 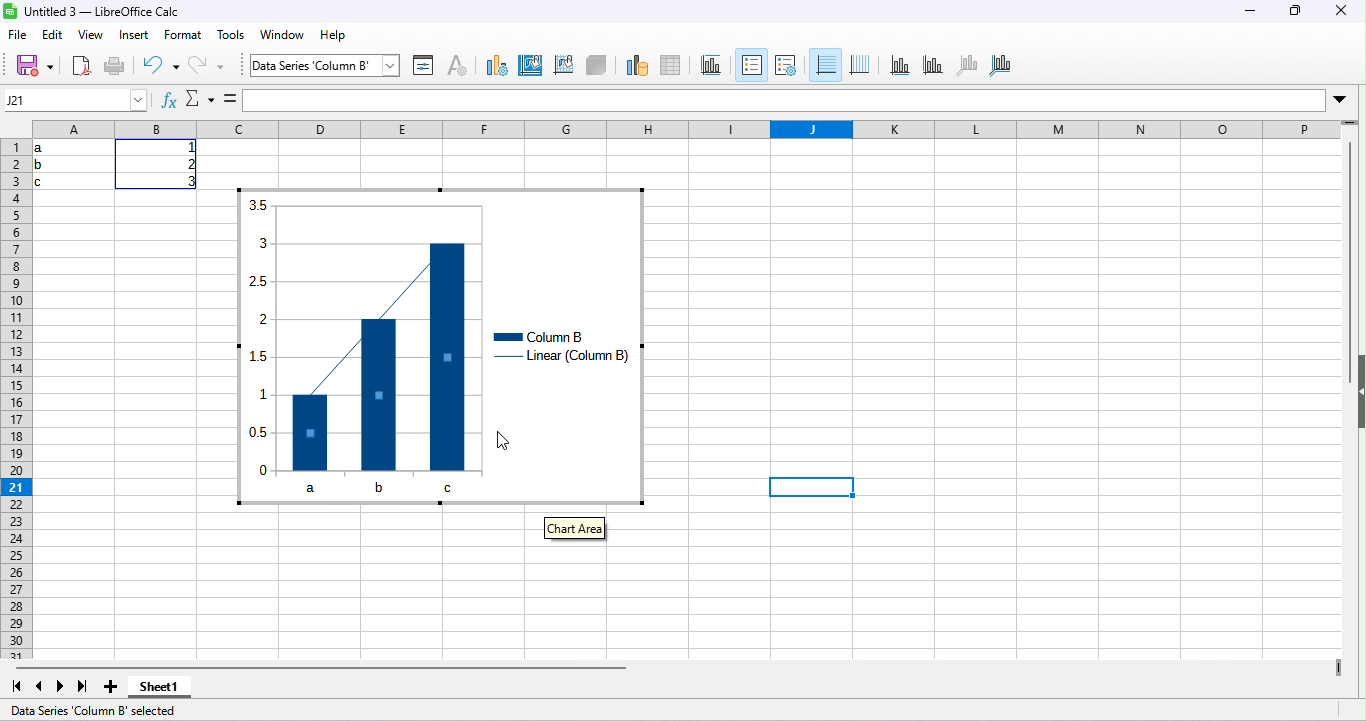 I want to click on data table , so click(x=675, y=63).